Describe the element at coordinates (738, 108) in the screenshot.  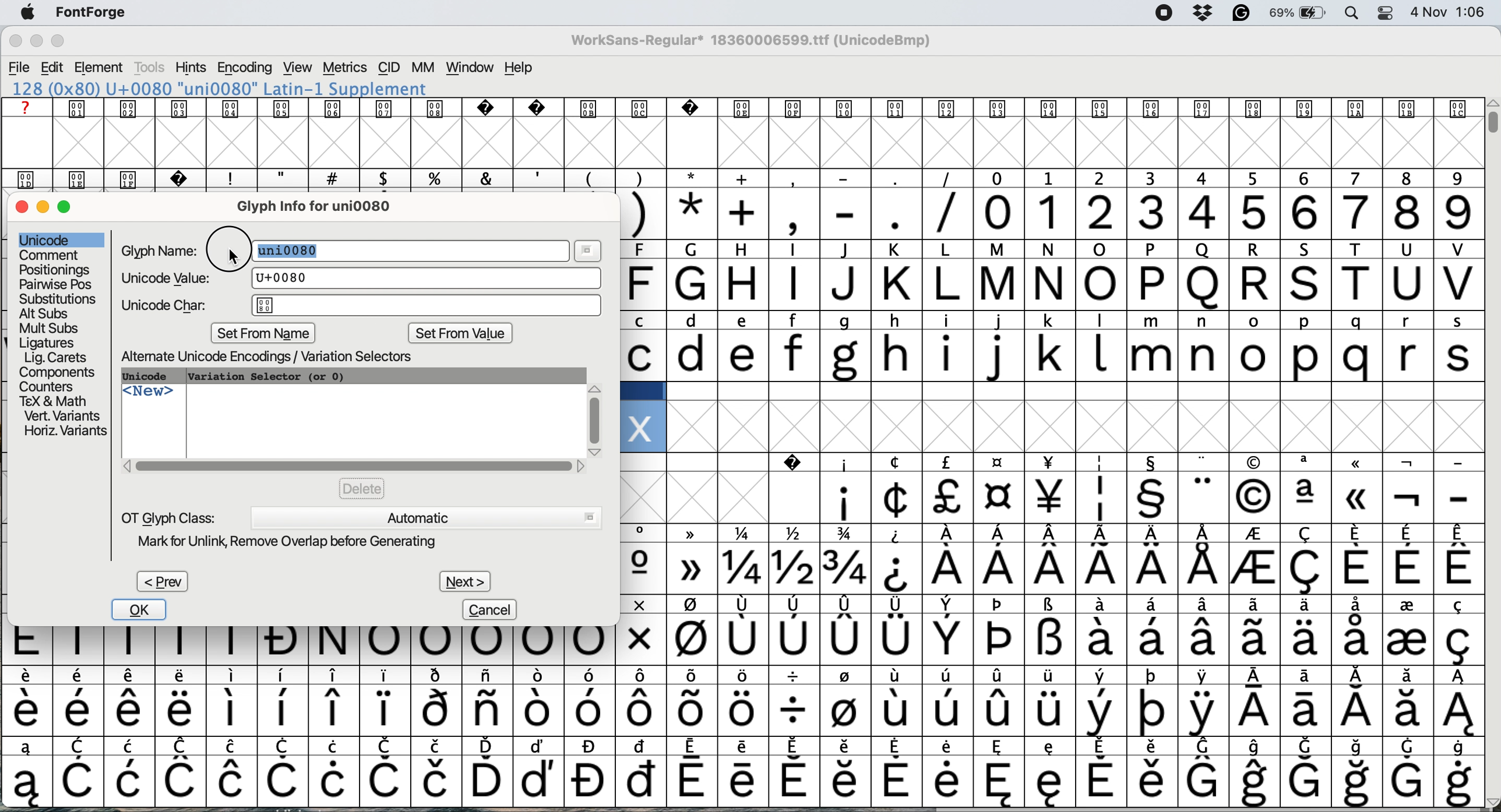
I see `text` at that location.